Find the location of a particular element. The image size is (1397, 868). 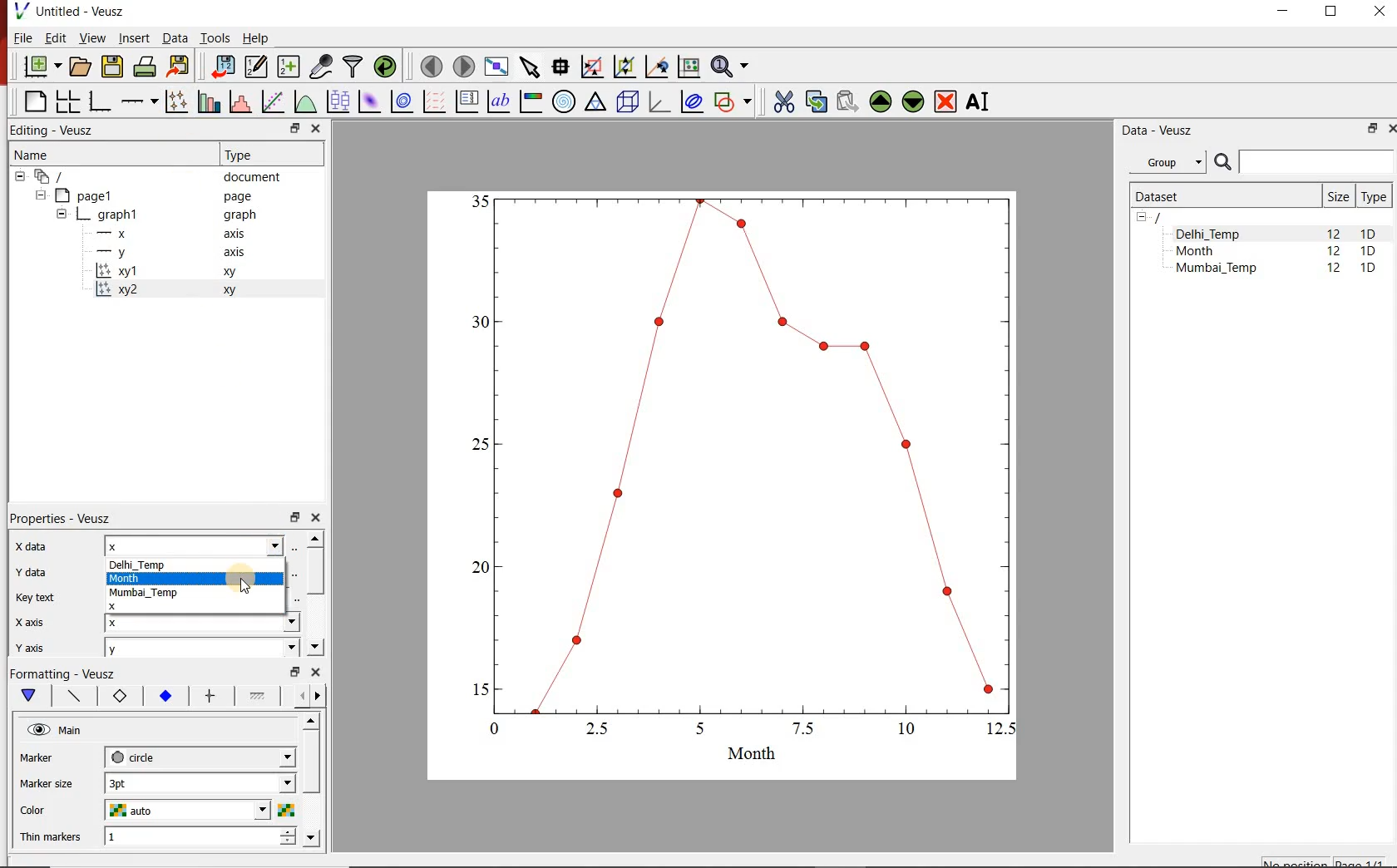

Key text is located at coordinates (34, 599).